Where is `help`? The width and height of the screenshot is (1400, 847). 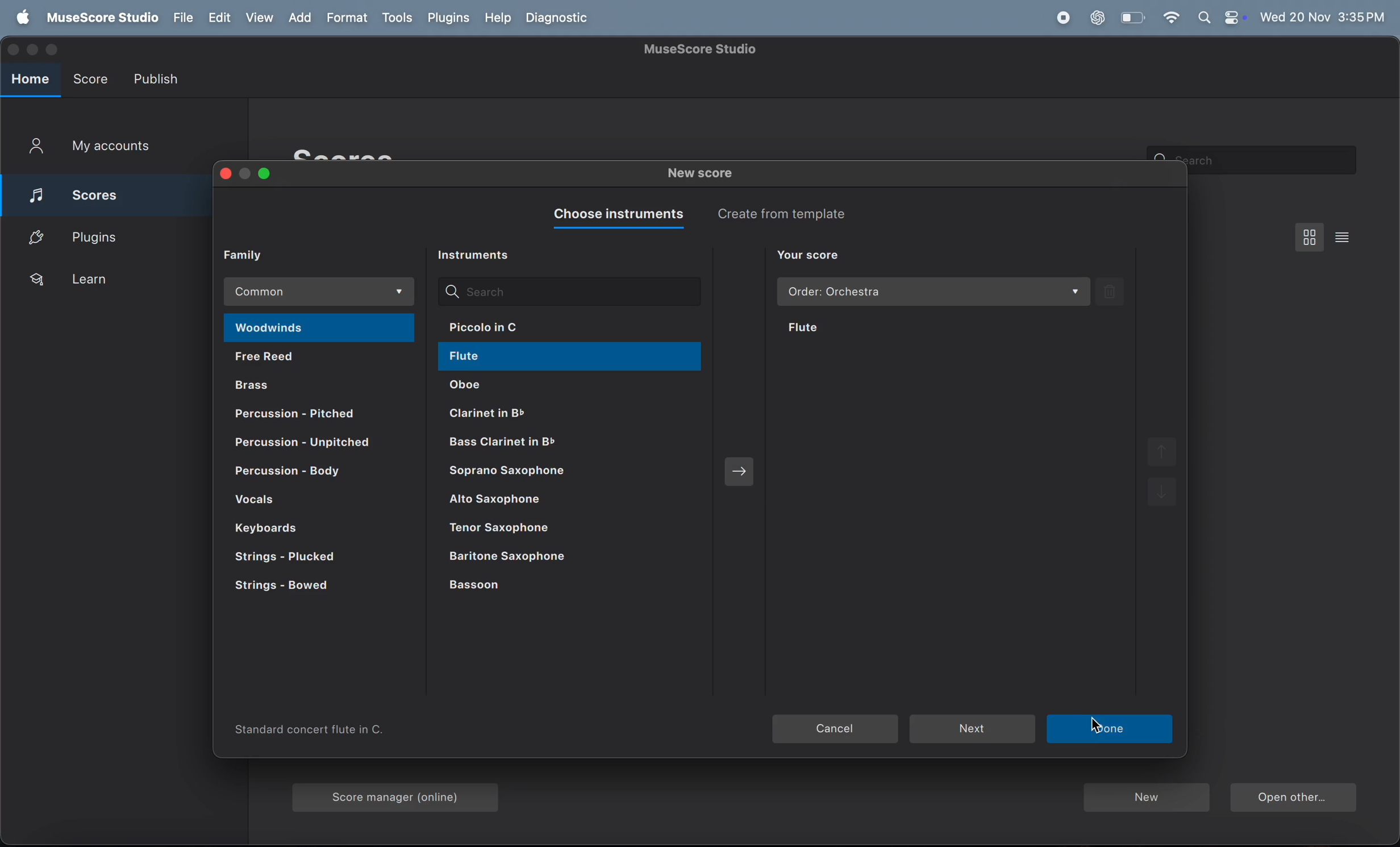
help is located at coordinates (495, 18).